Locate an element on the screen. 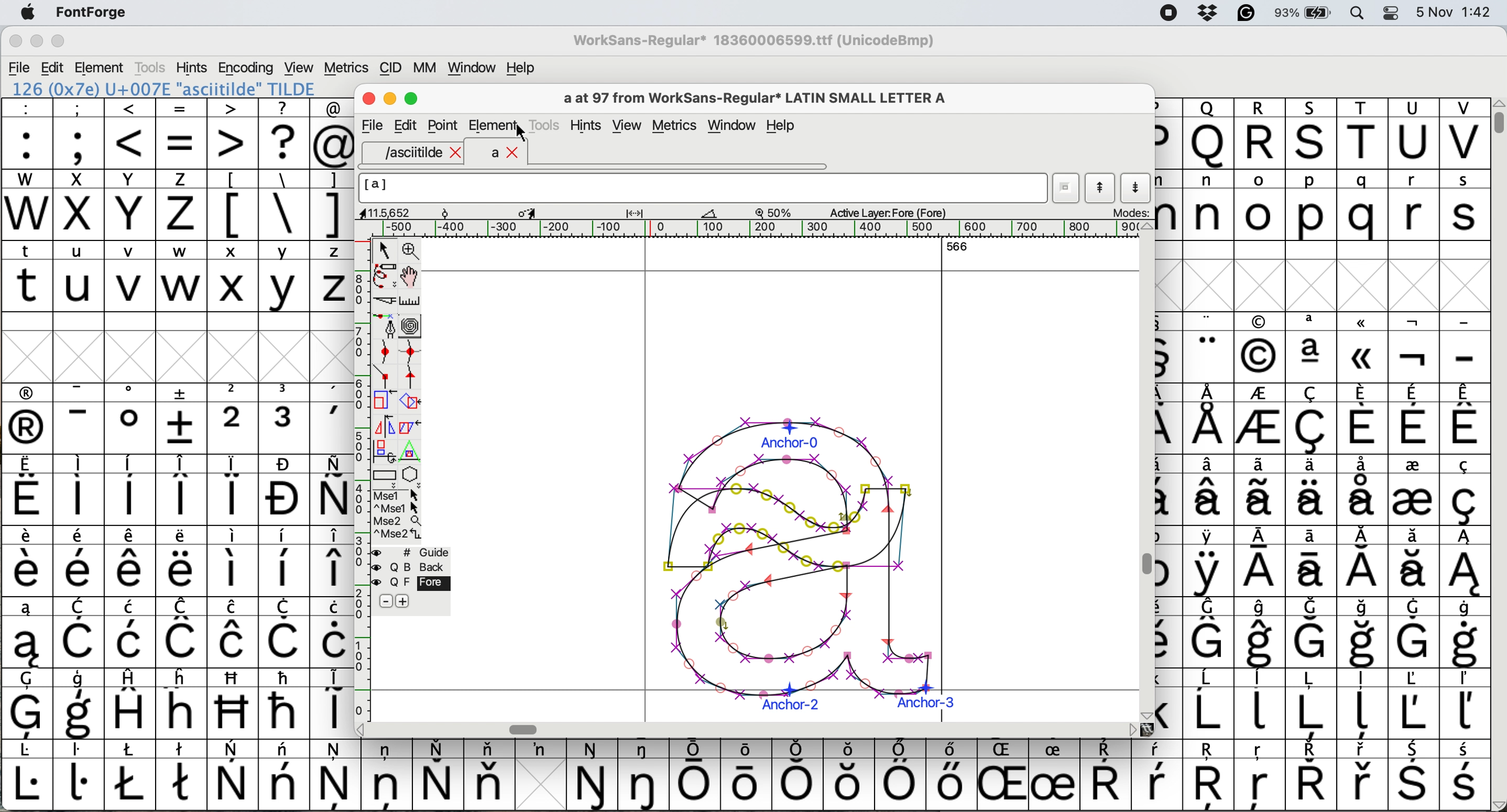 Image resolution: width=1507 pixels, height=812 pixels. Background is located at coordinates (424, 567).